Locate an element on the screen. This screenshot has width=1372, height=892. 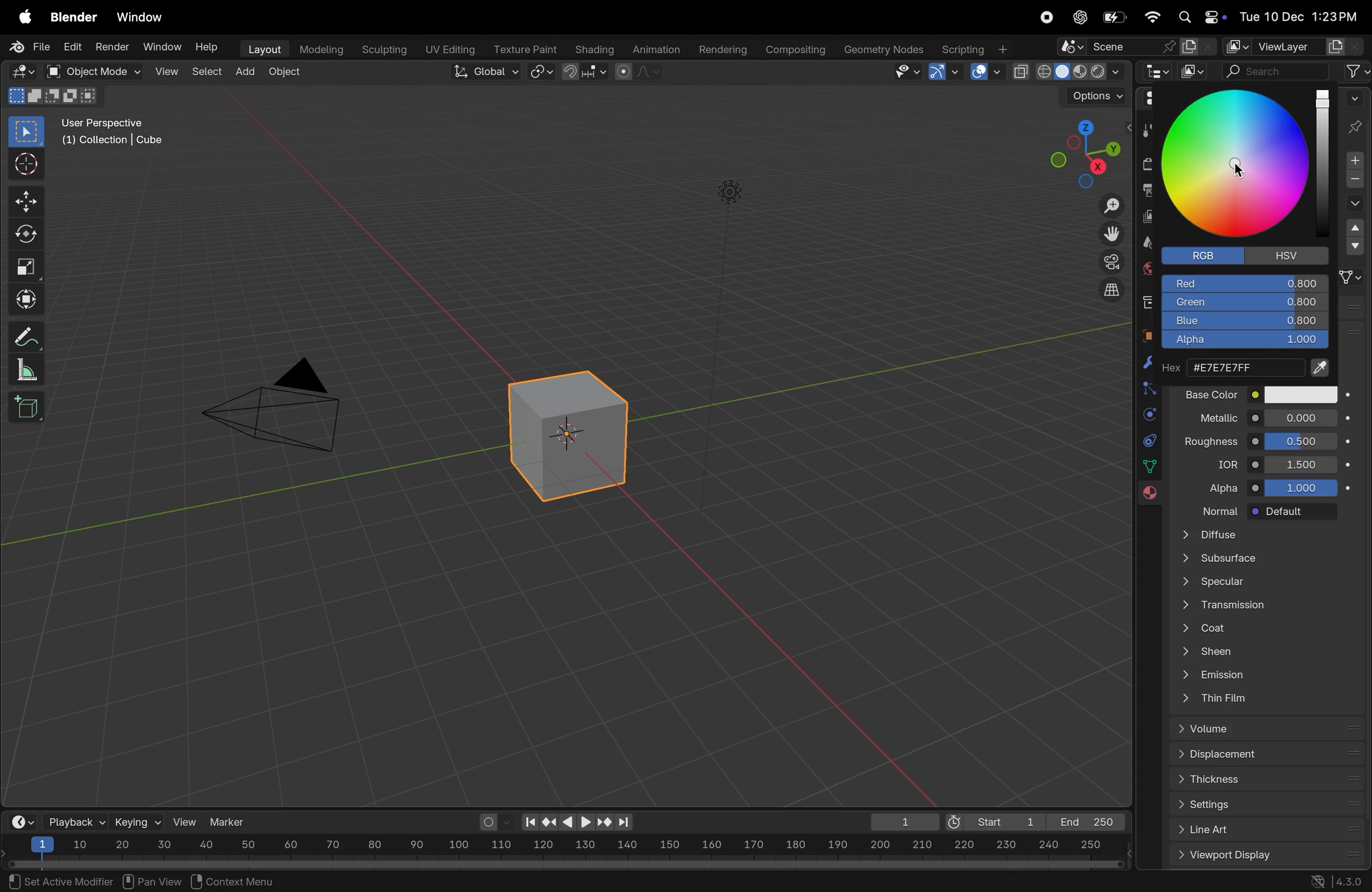
color bar is located at coordinates (1324, 158).